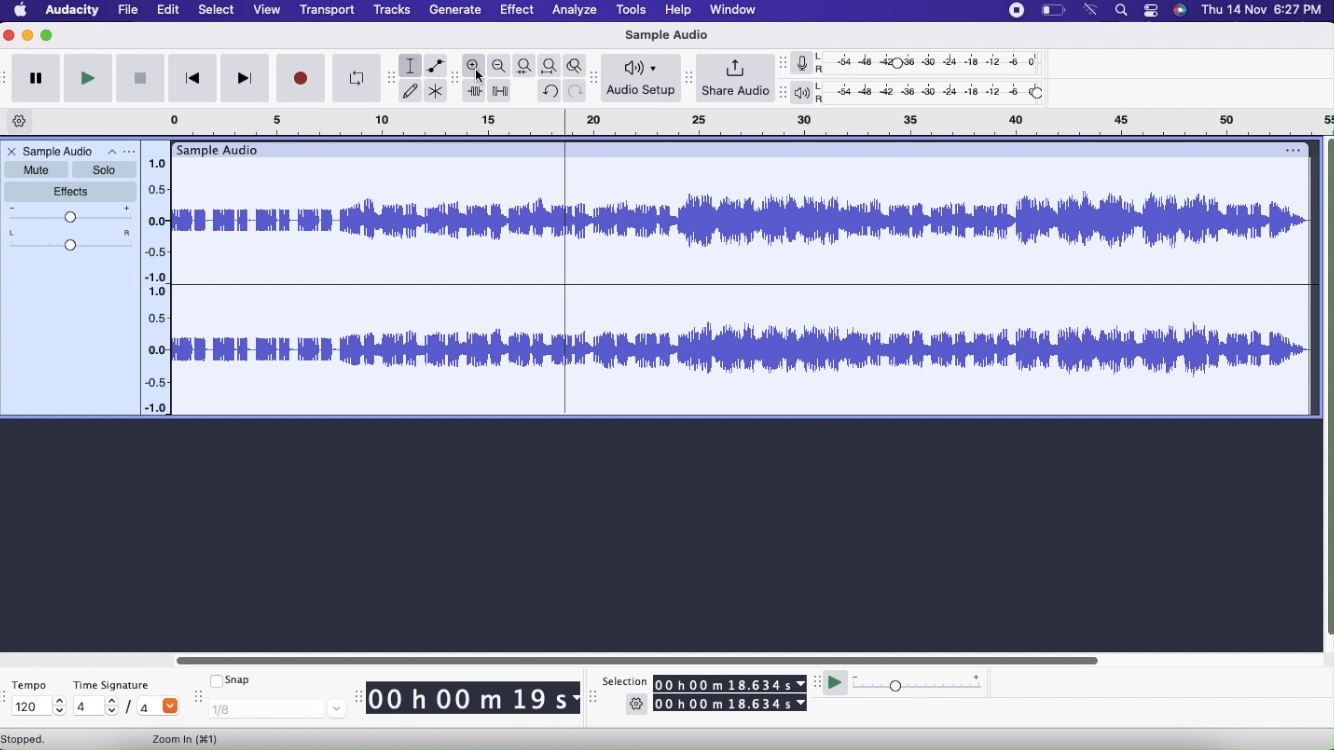 This screenshot has height=750, width=1334. What do you see at coordinates (810, 63) in the screenshot?
I see `Record meter` at bounding box center [810, 63].